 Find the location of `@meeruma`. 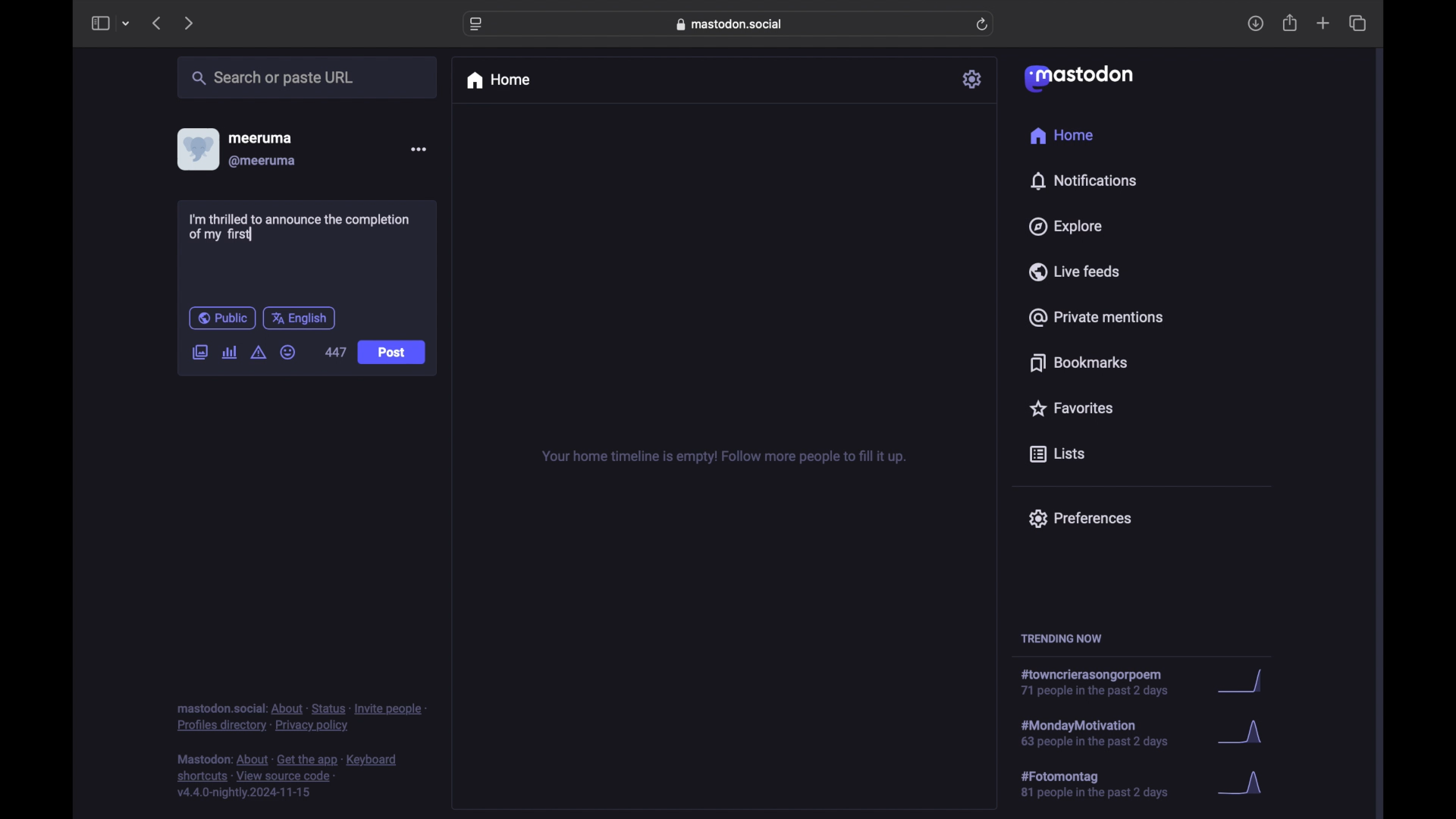

@meeruma is located at coordinates (264, 162).